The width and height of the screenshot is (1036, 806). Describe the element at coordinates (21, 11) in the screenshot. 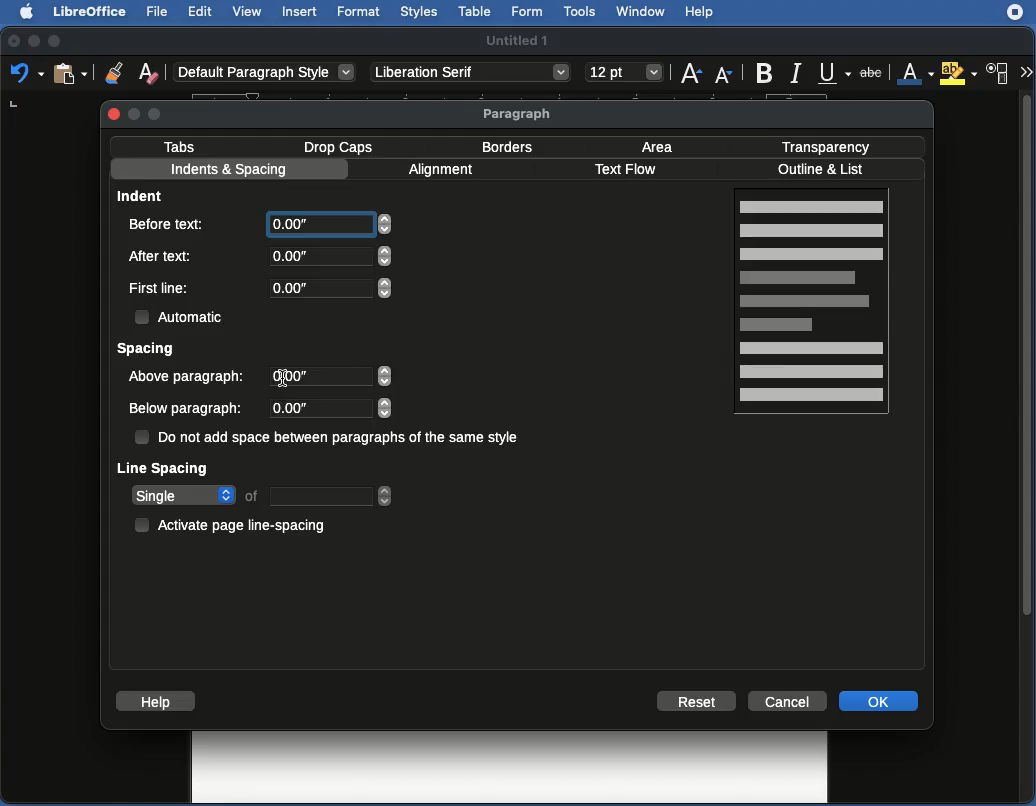

I see `Apple logo` at that location.